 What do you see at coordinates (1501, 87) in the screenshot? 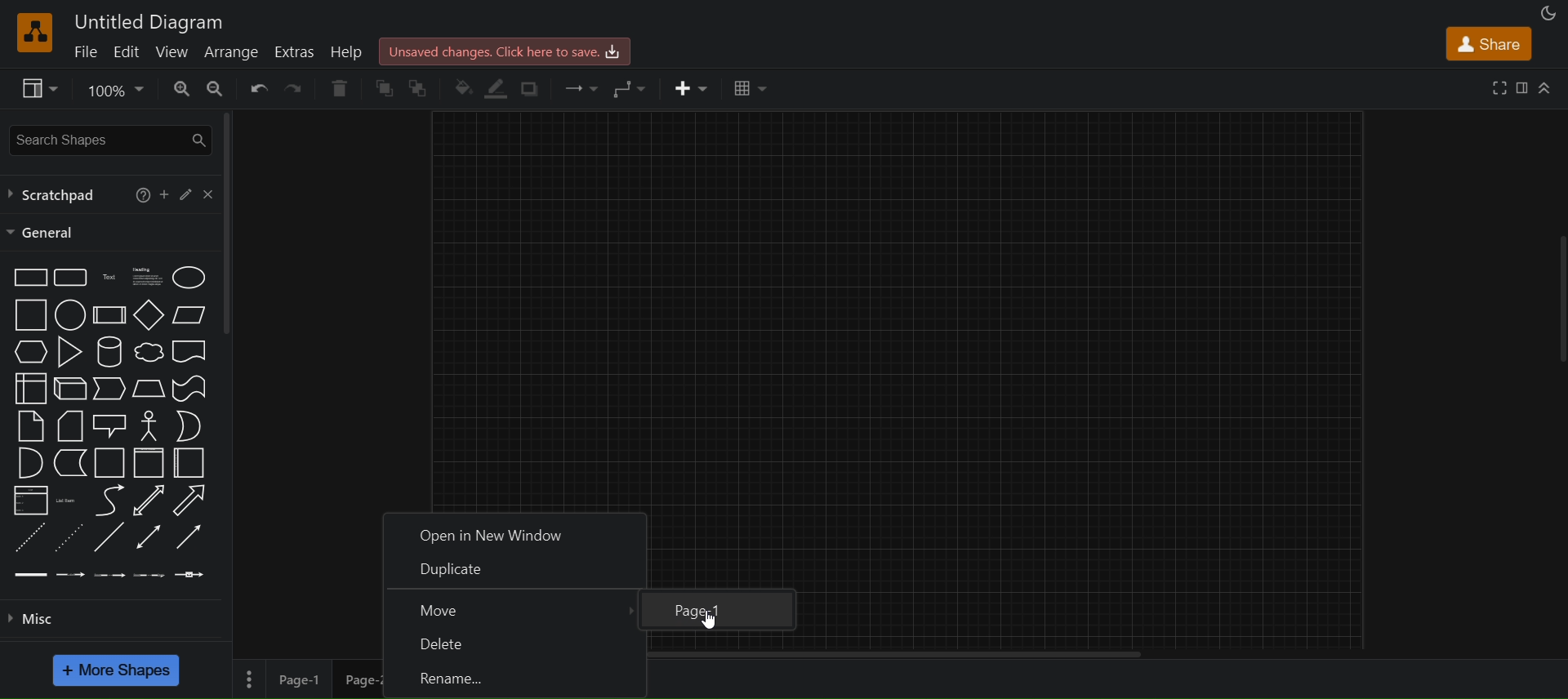
I see `full screen` at bounding box center [1501, 87].